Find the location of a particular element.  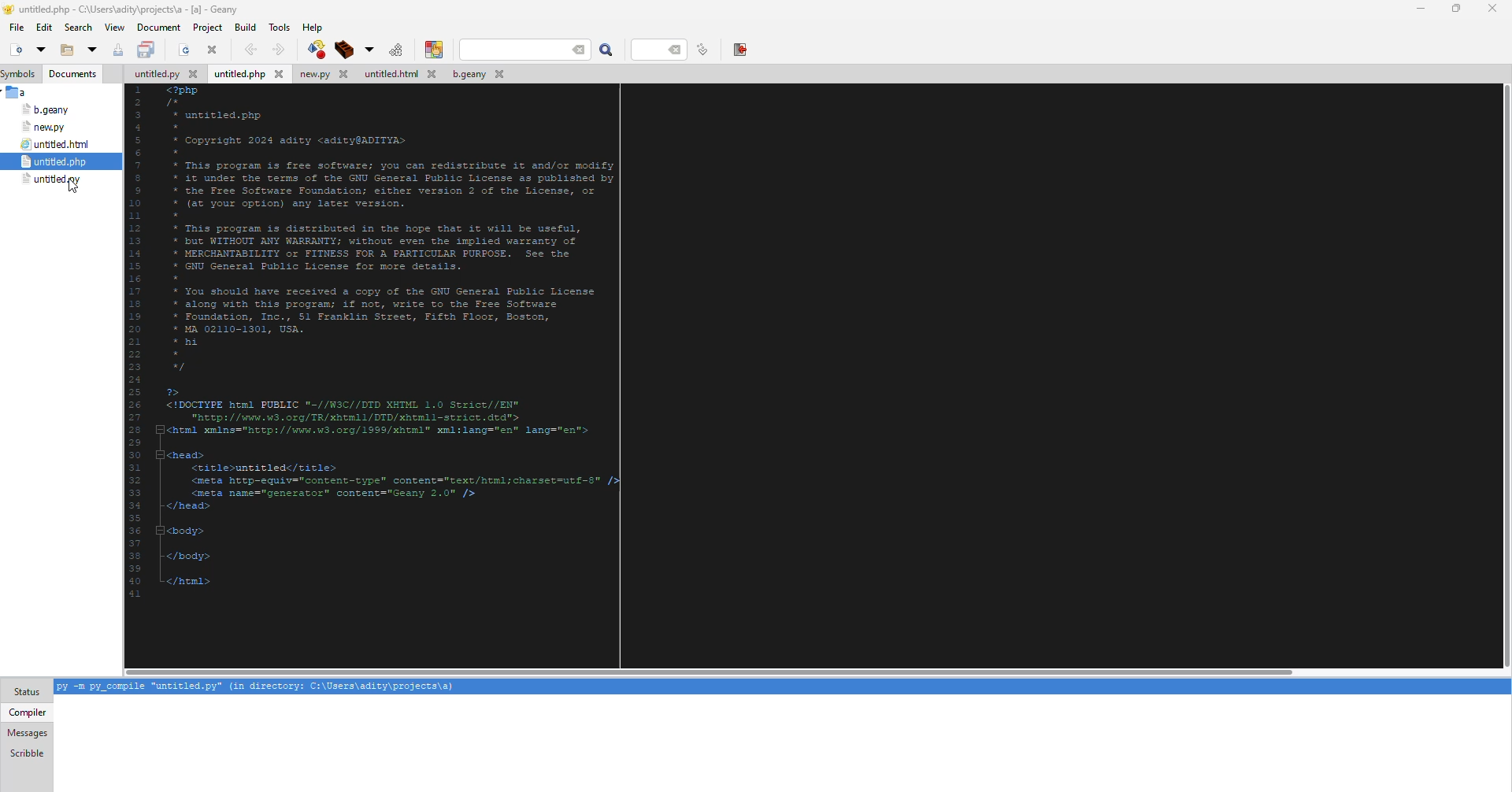

new.py is located at coordinates (45, 128).